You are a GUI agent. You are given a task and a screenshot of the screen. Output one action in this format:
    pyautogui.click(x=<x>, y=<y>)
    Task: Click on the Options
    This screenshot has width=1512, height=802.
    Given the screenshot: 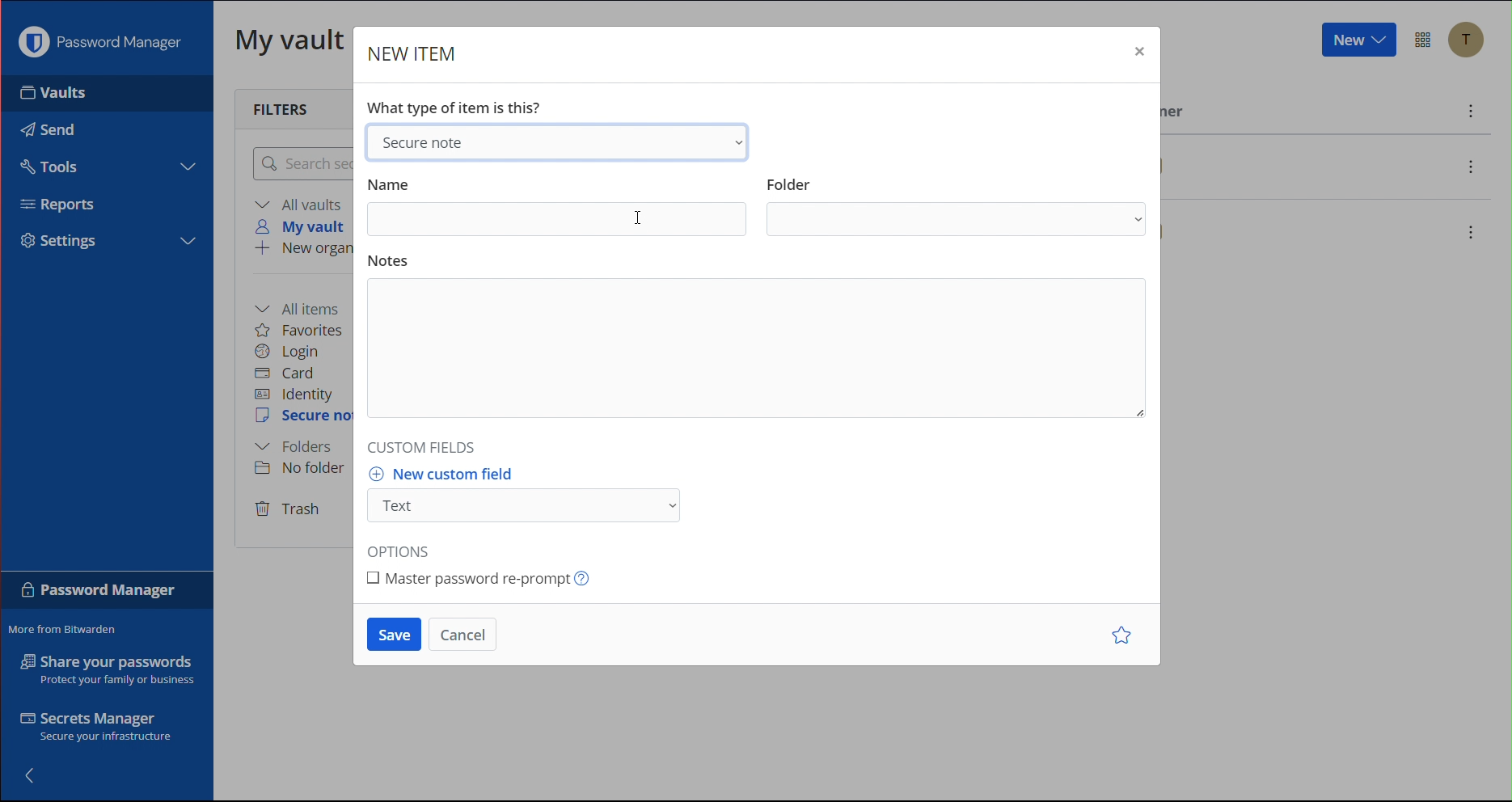 What is the action you would take?
    pyautogui.click(x=1425, y=39)
    